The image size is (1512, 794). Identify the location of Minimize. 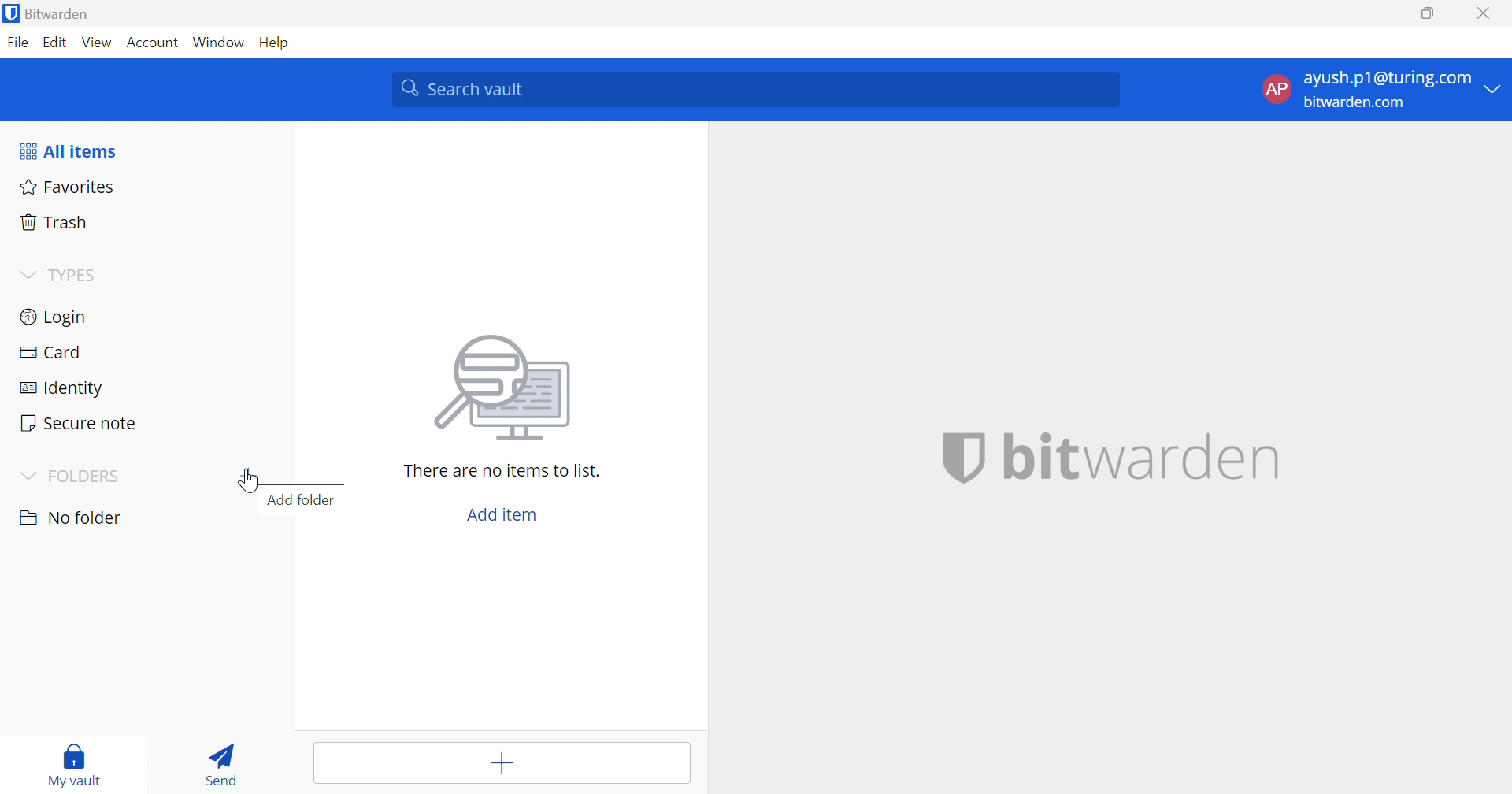
(1373, 11).